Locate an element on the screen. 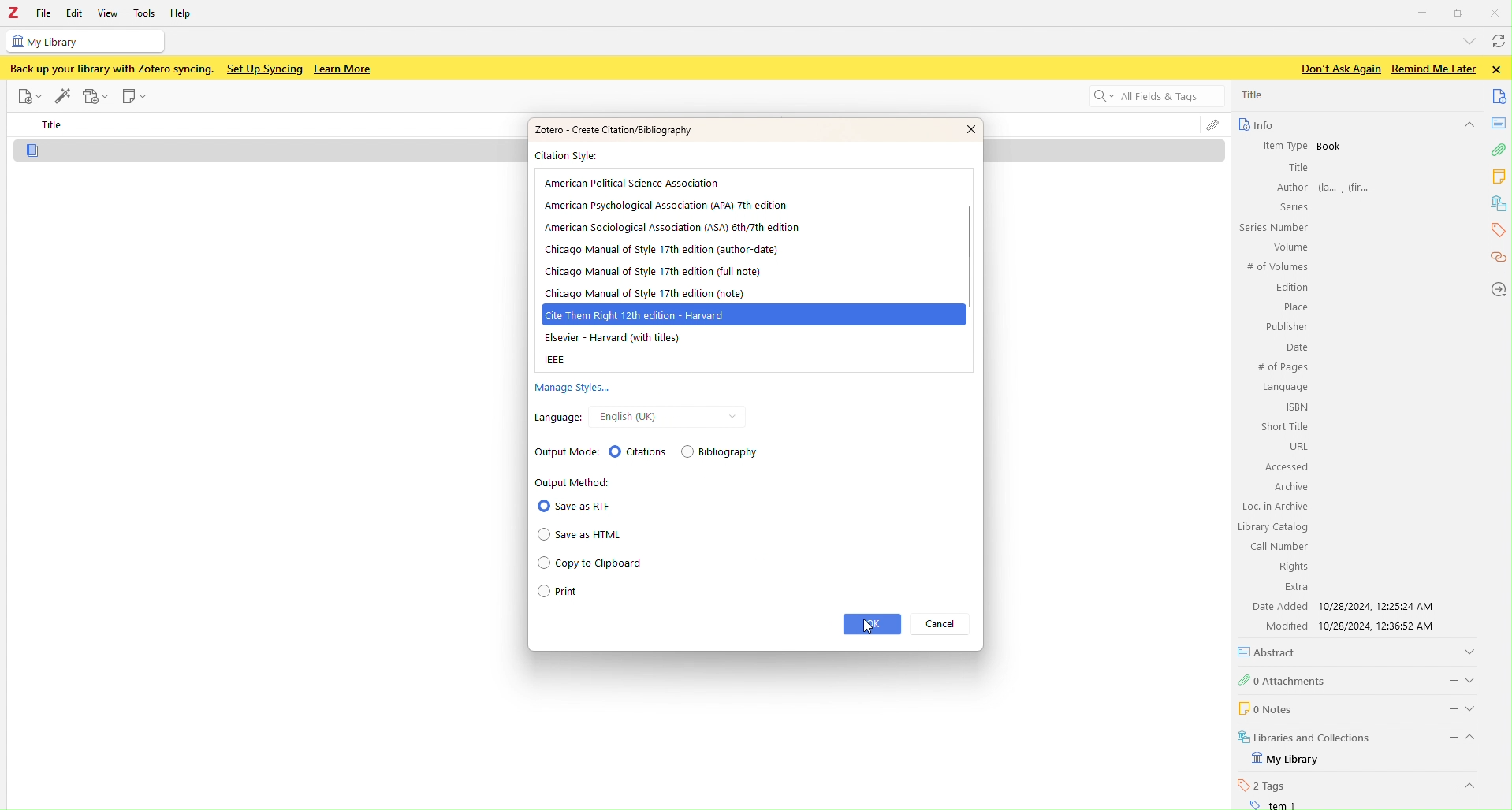 This screenshot has width=1512, height=810. # of Pages is located at coordinates (1282, 368).